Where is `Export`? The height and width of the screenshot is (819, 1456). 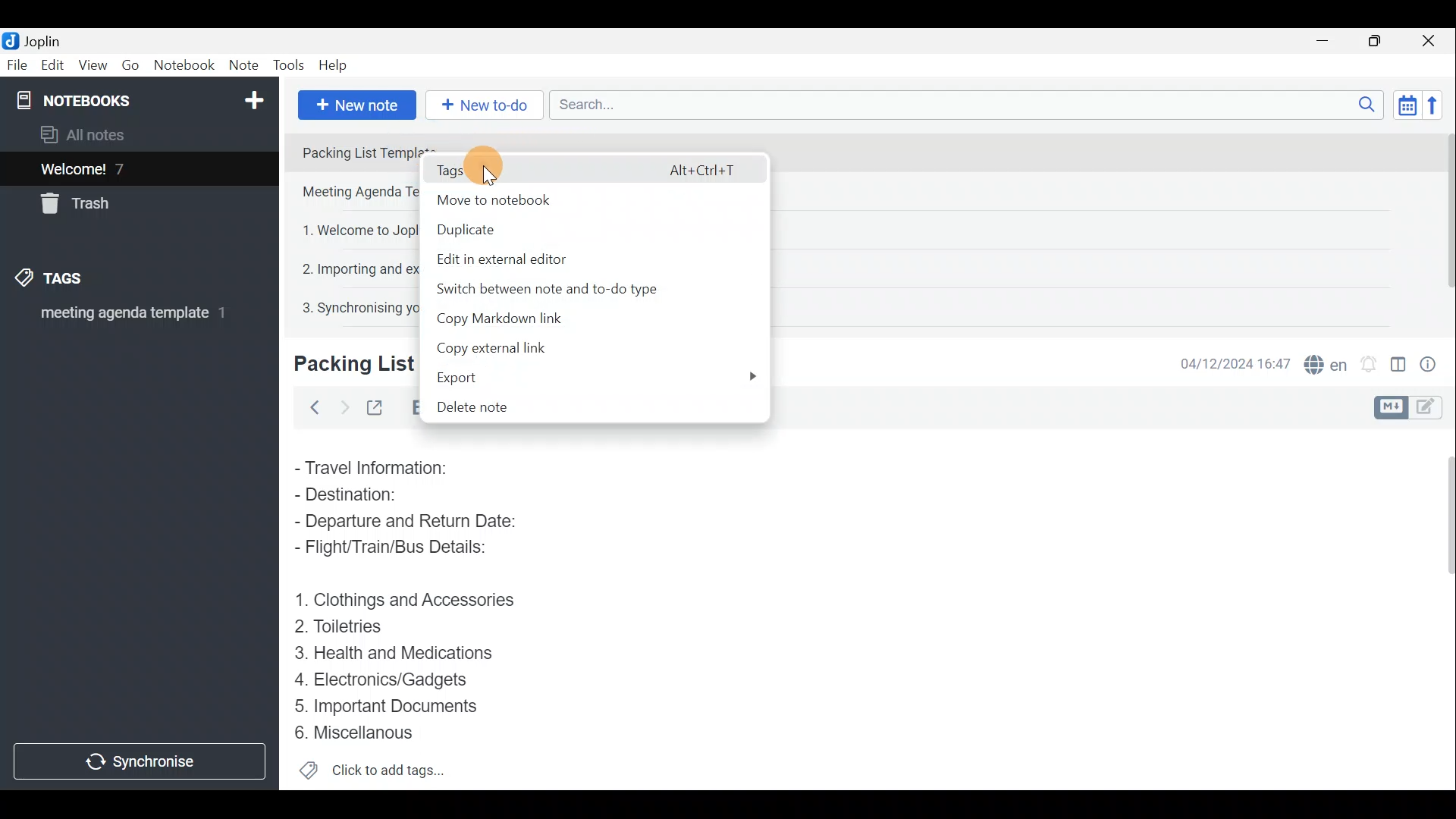 Export is located at coordinates (600, 373).